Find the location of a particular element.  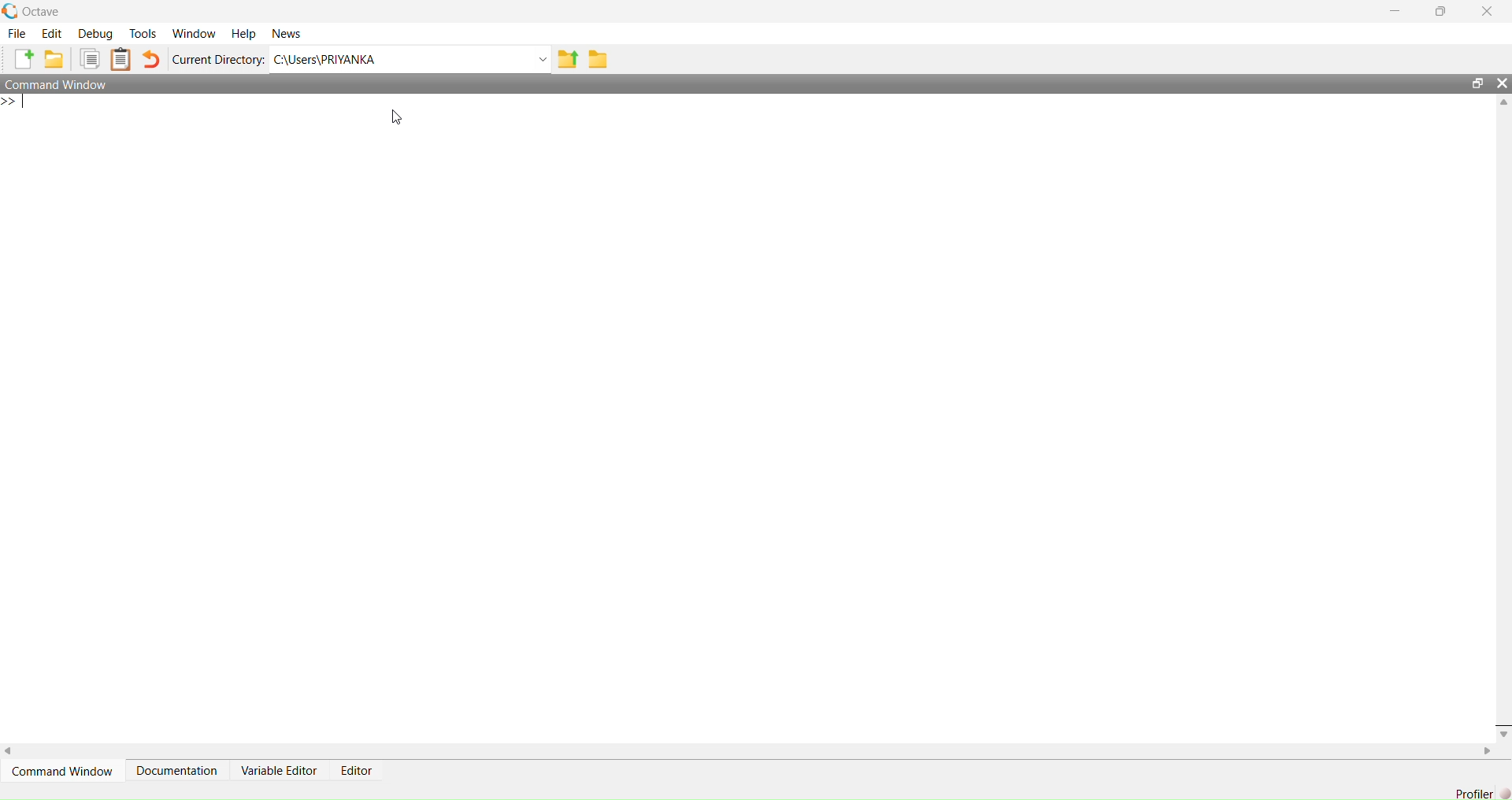

Restore is located at coordinates (1479, 83).